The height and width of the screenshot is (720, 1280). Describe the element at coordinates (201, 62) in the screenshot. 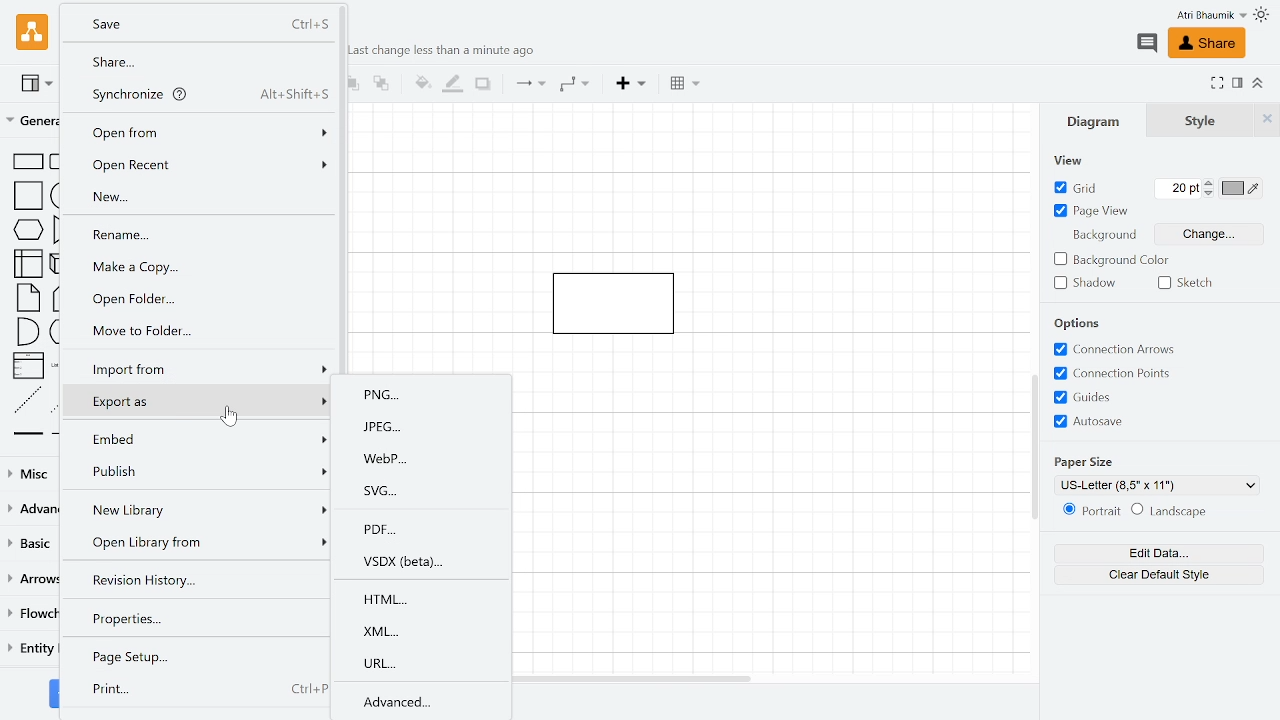

I see `Share` at that location.